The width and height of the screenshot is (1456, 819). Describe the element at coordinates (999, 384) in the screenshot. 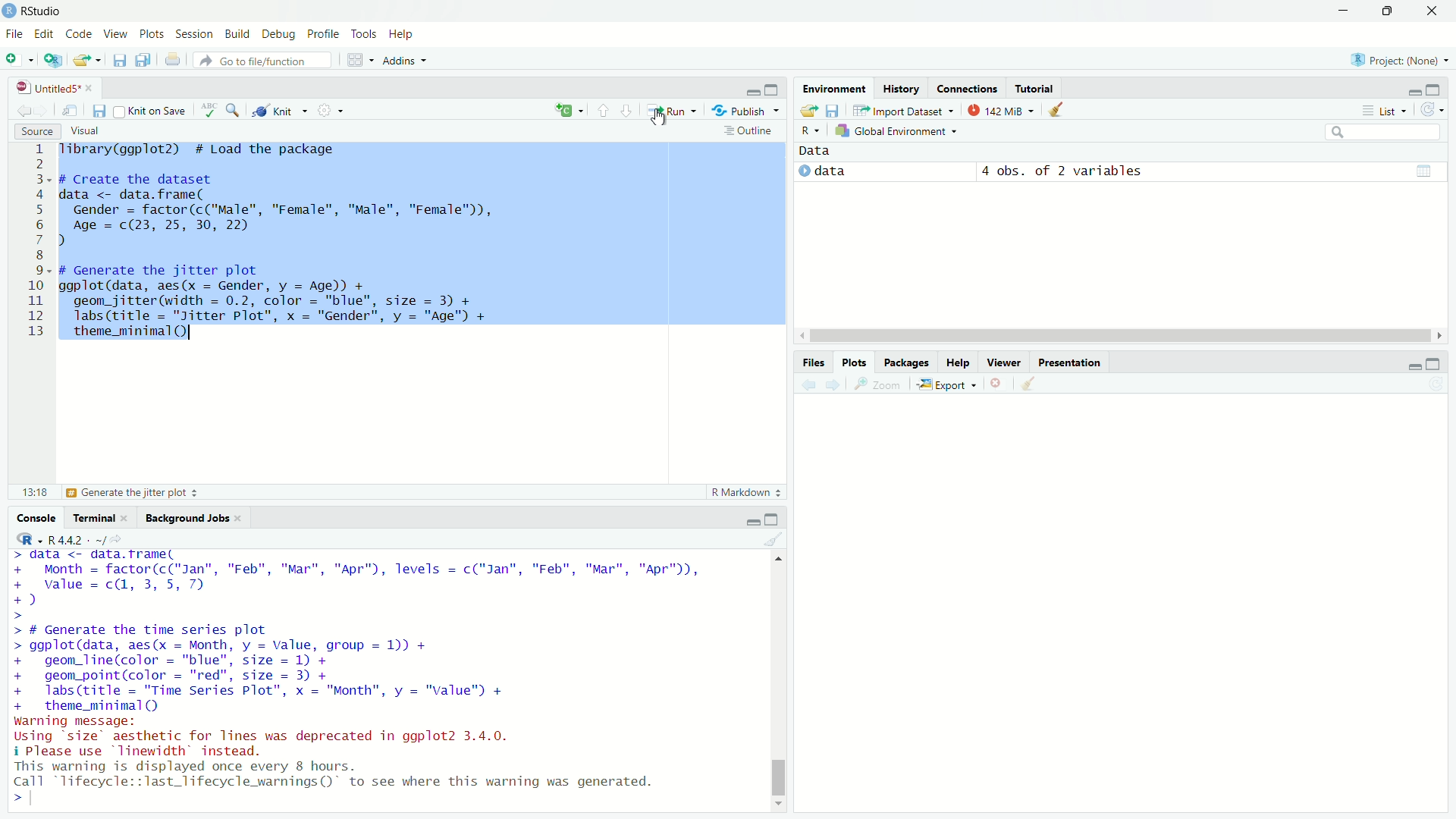

I see `remove the current plot` at that location.